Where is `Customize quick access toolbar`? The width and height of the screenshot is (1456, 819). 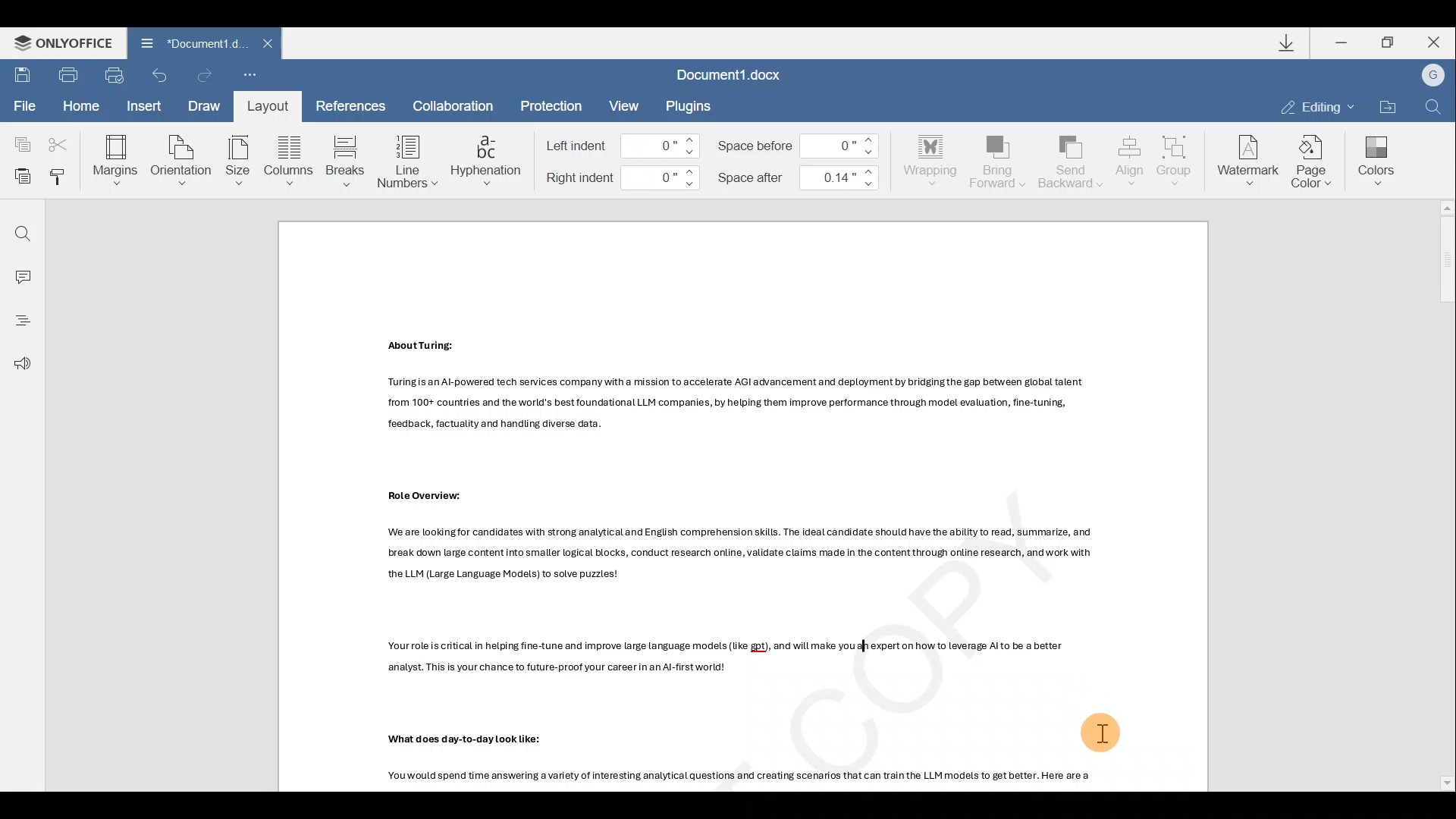 Customize quick access toolbar is located at coordinates (246, 76).